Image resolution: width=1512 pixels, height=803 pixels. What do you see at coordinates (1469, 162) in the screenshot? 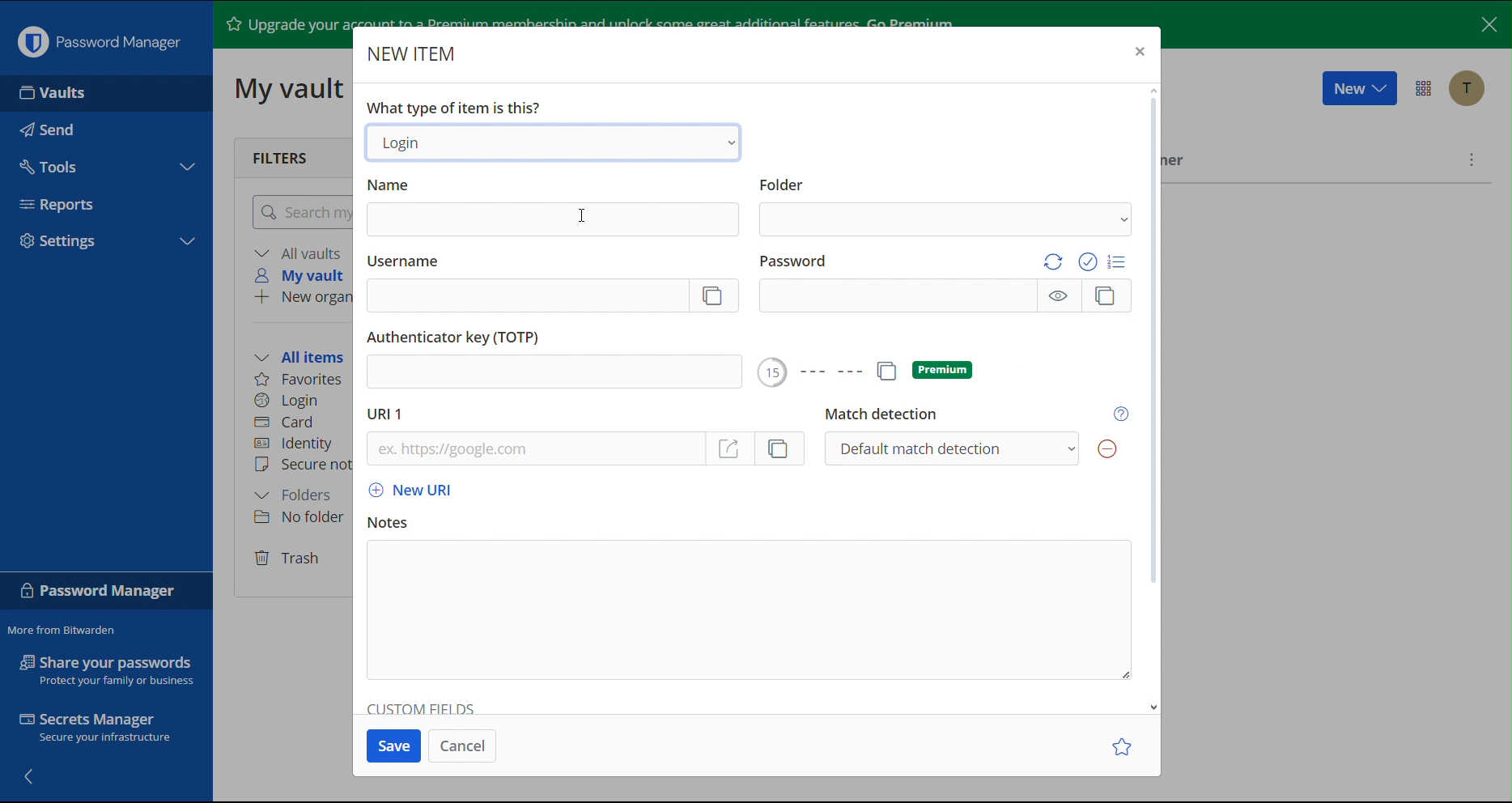
I see `More` at bounding box center [1469, 162].